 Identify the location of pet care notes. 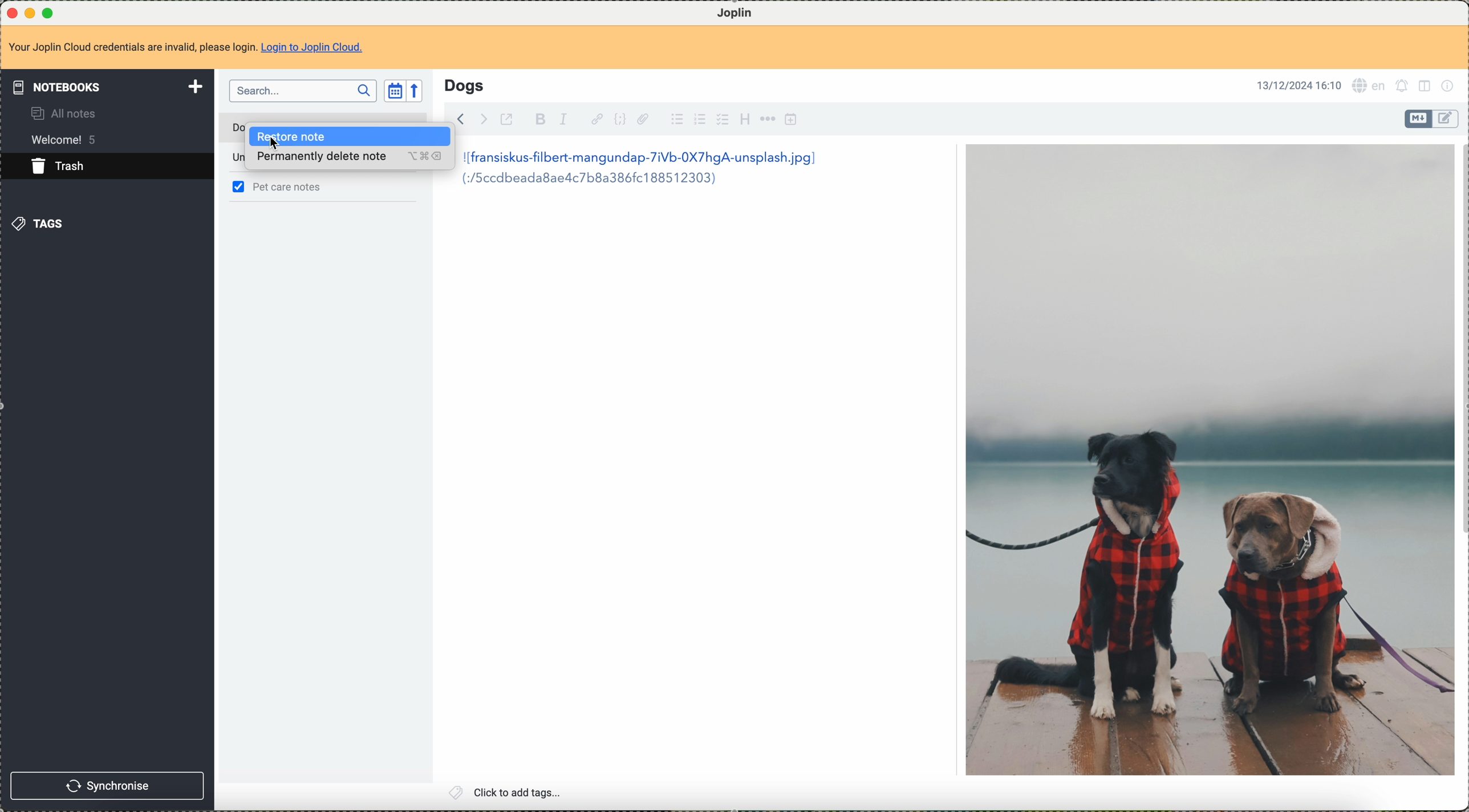
(290, 187).